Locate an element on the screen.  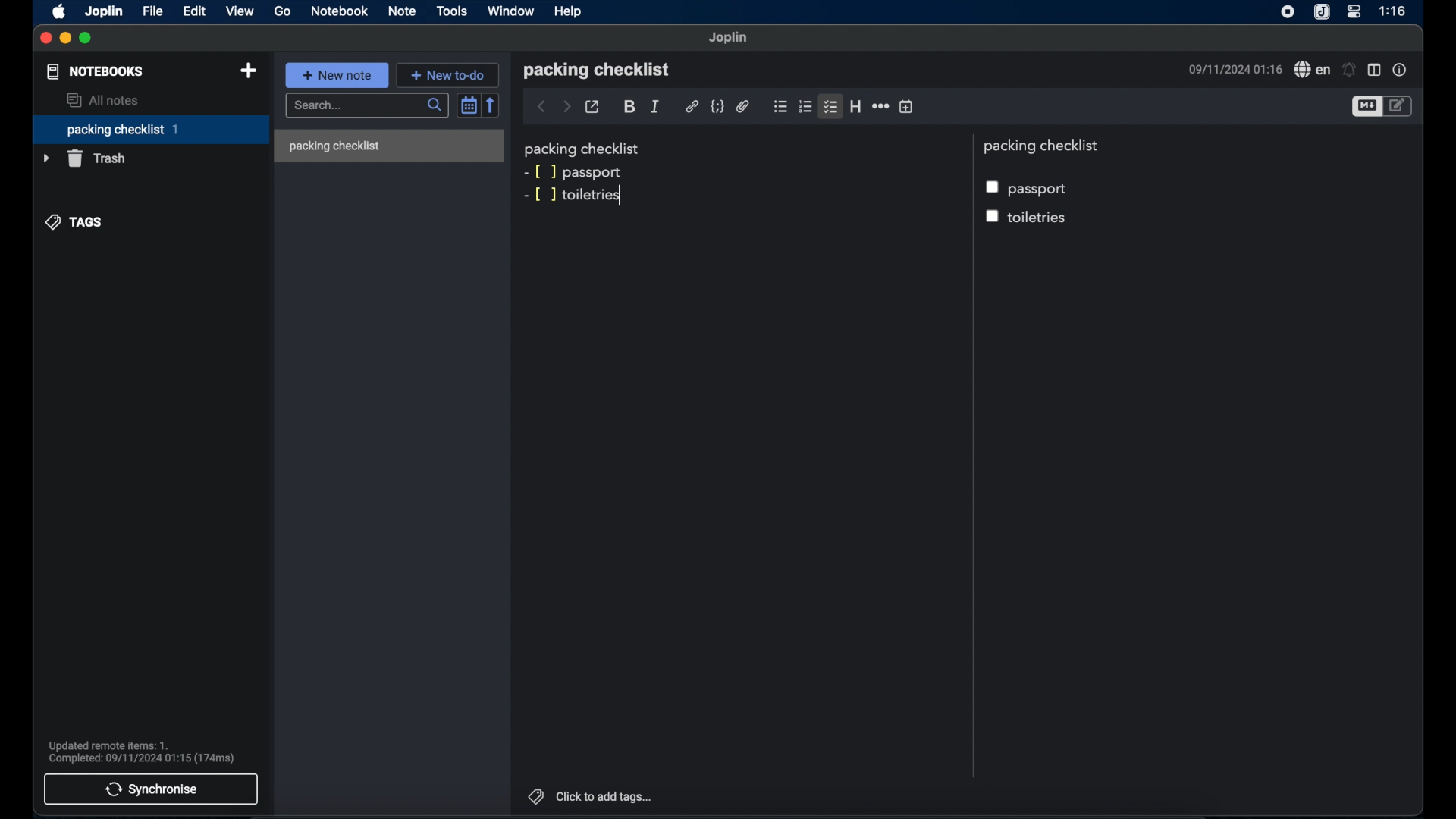
toiletries is located at coordinates (595, 195).